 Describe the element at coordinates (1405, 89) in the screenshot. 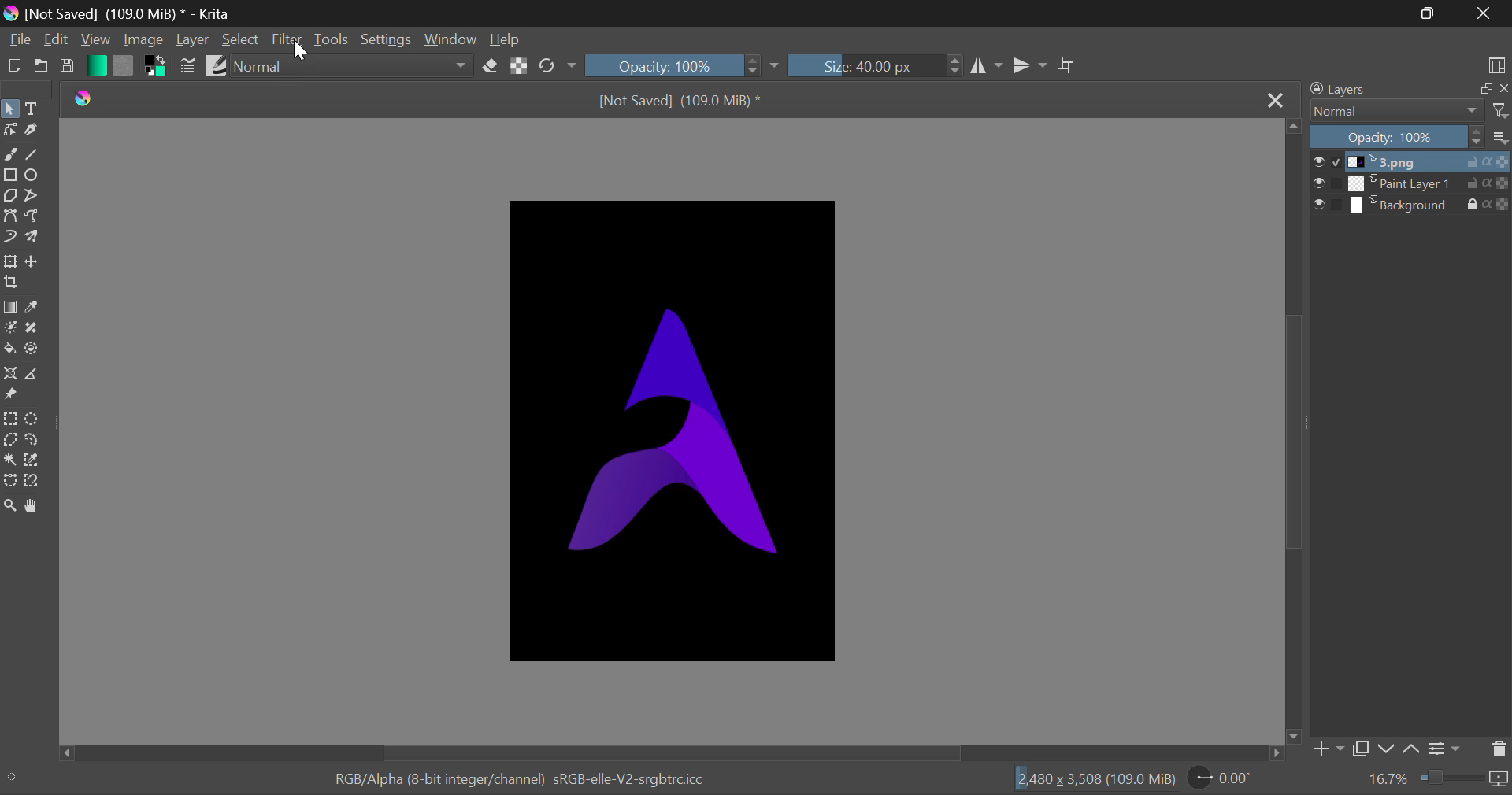

I see `Layers` at that location.